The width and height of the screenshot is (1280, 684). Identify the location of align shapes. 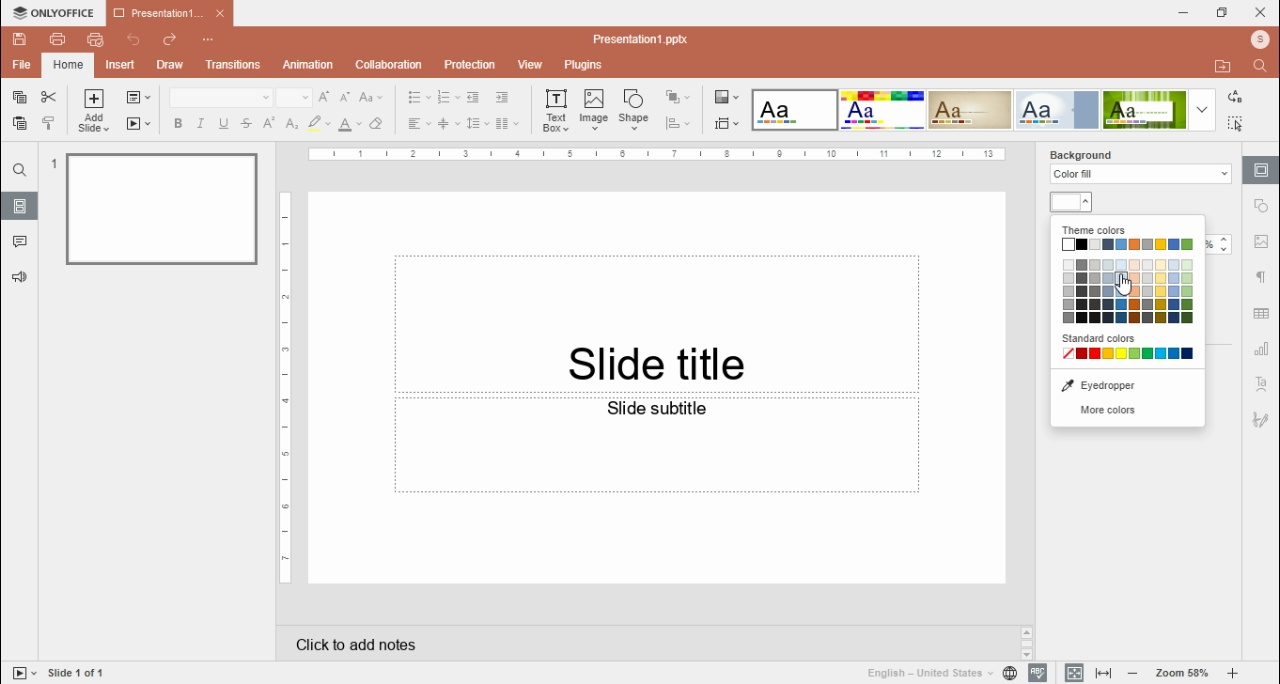
(677, 122).